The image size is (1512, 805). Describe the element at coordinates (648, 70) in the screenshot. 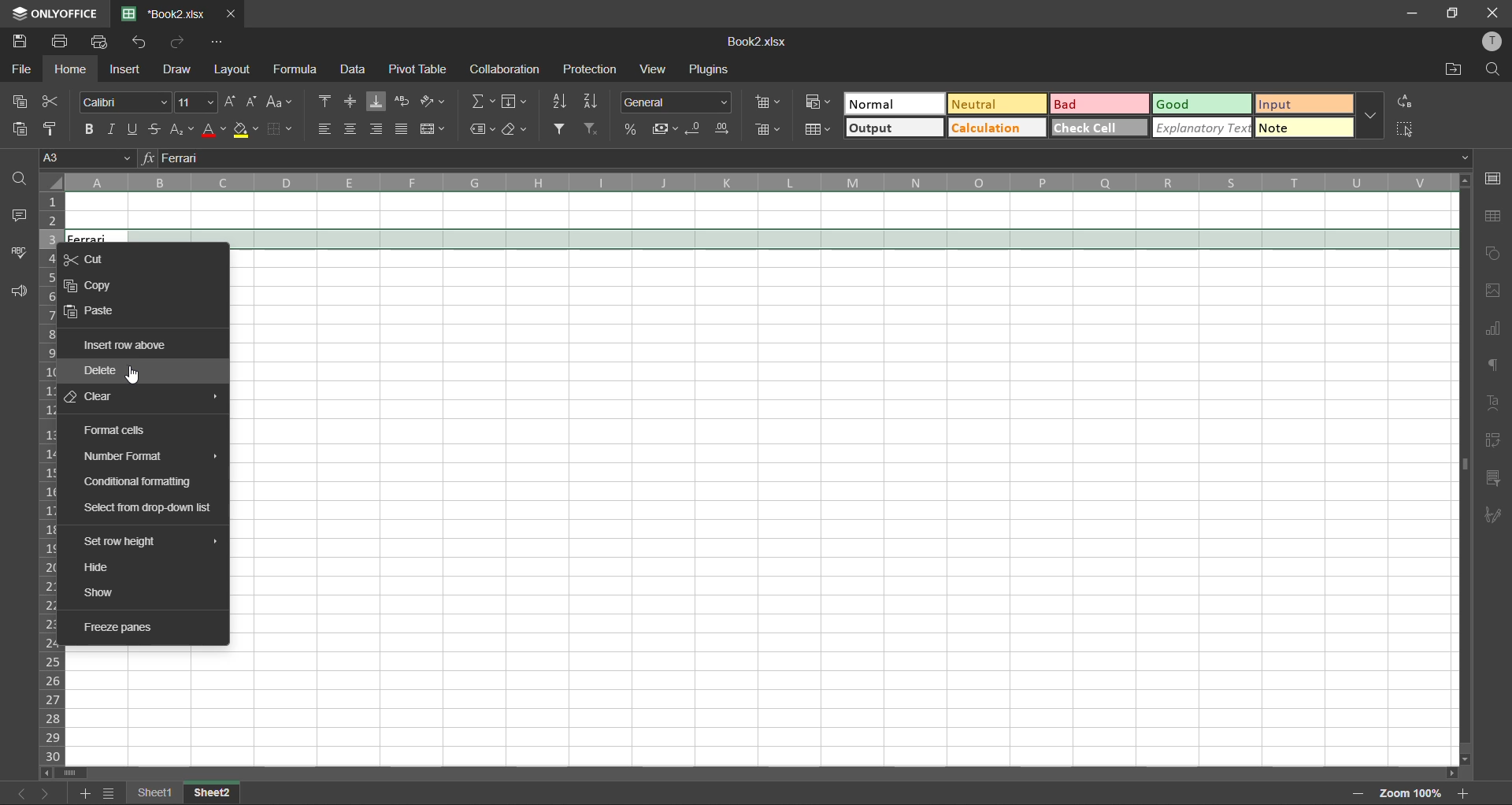

I see `view` at that location.